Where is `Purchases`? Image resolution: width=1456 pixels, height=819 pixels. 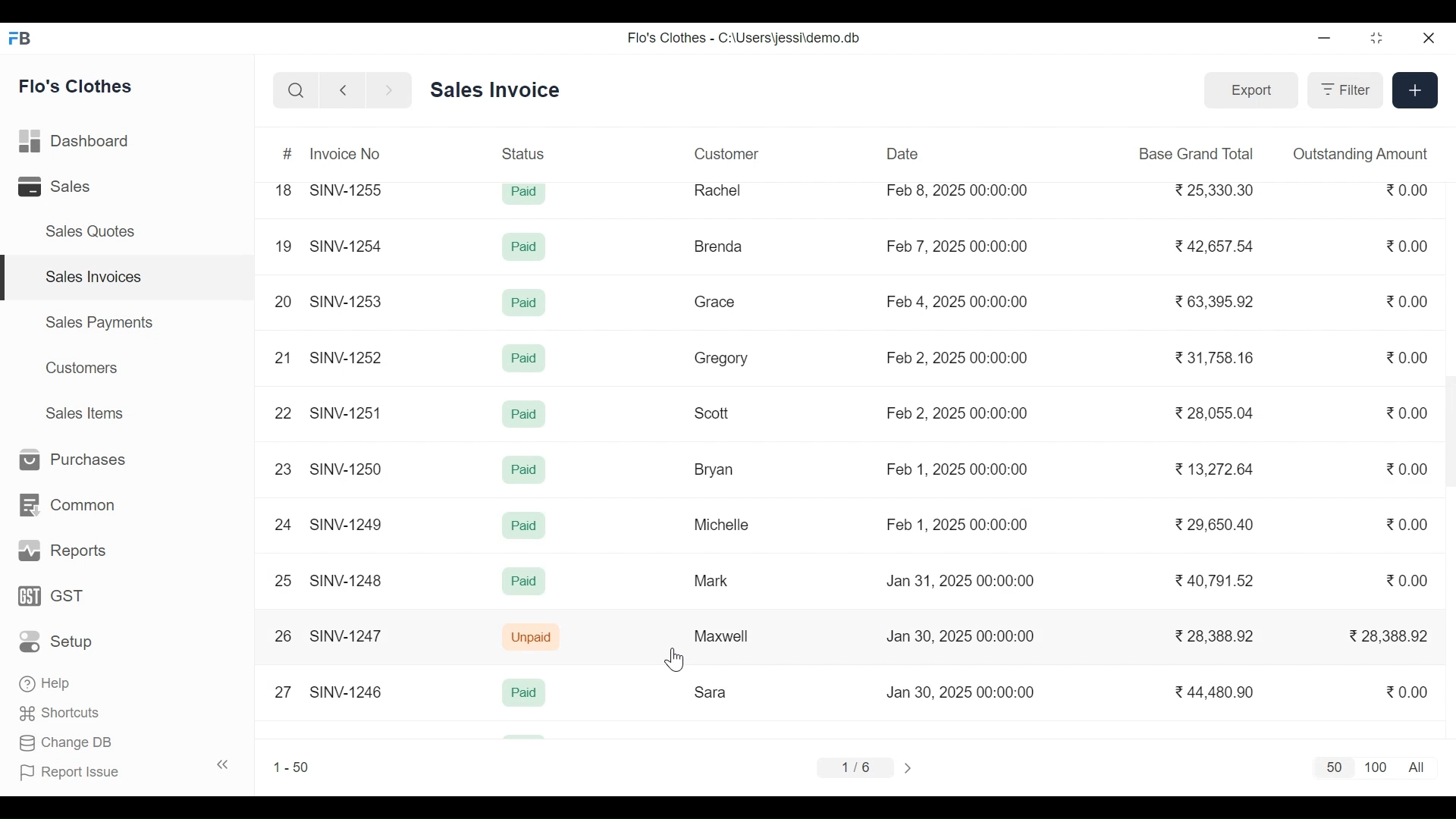 Purchases is located at coordinates (67, 460).